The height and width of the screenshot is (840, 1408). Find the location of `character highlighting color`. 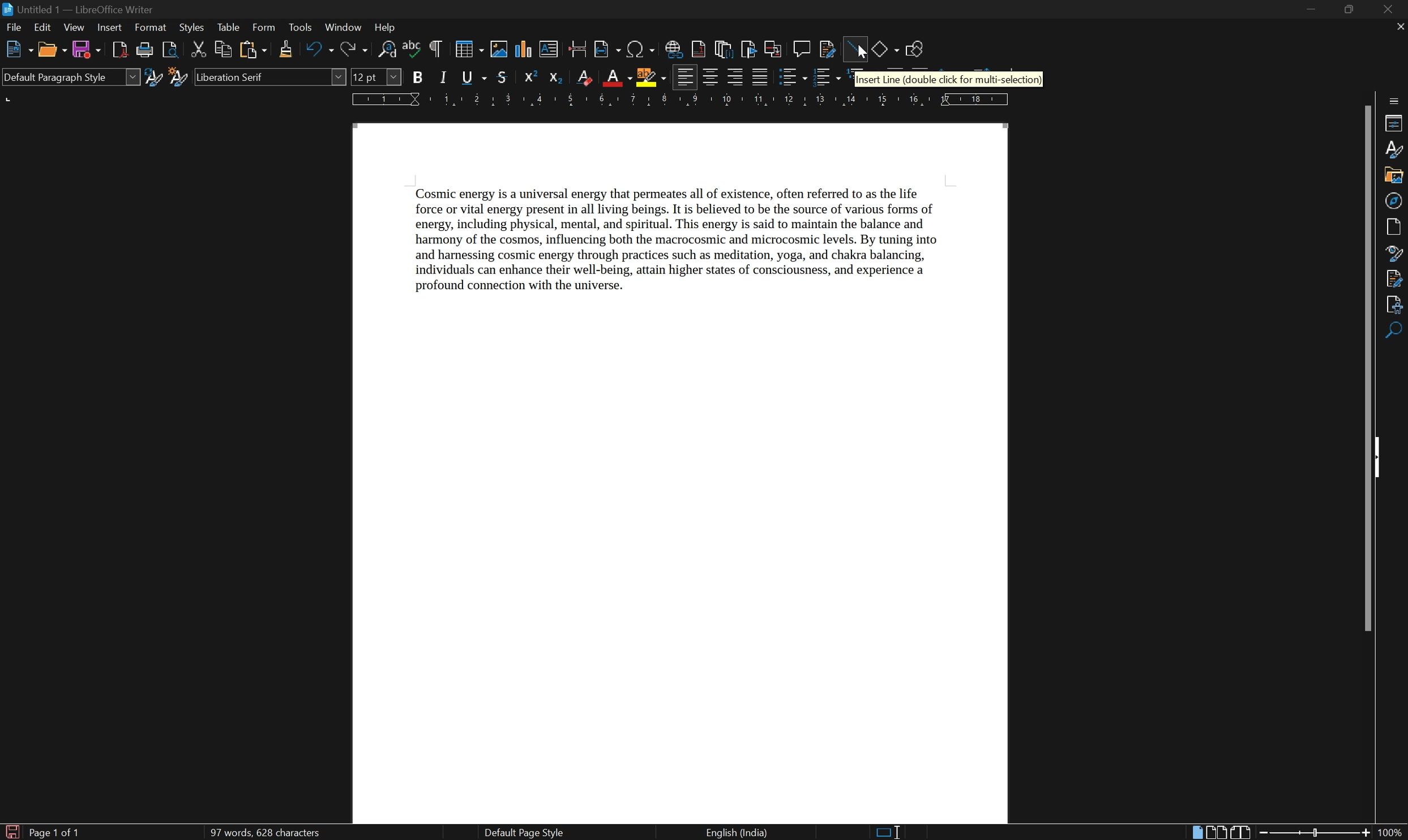

character highlighting color is located at coordinates (652, 78).